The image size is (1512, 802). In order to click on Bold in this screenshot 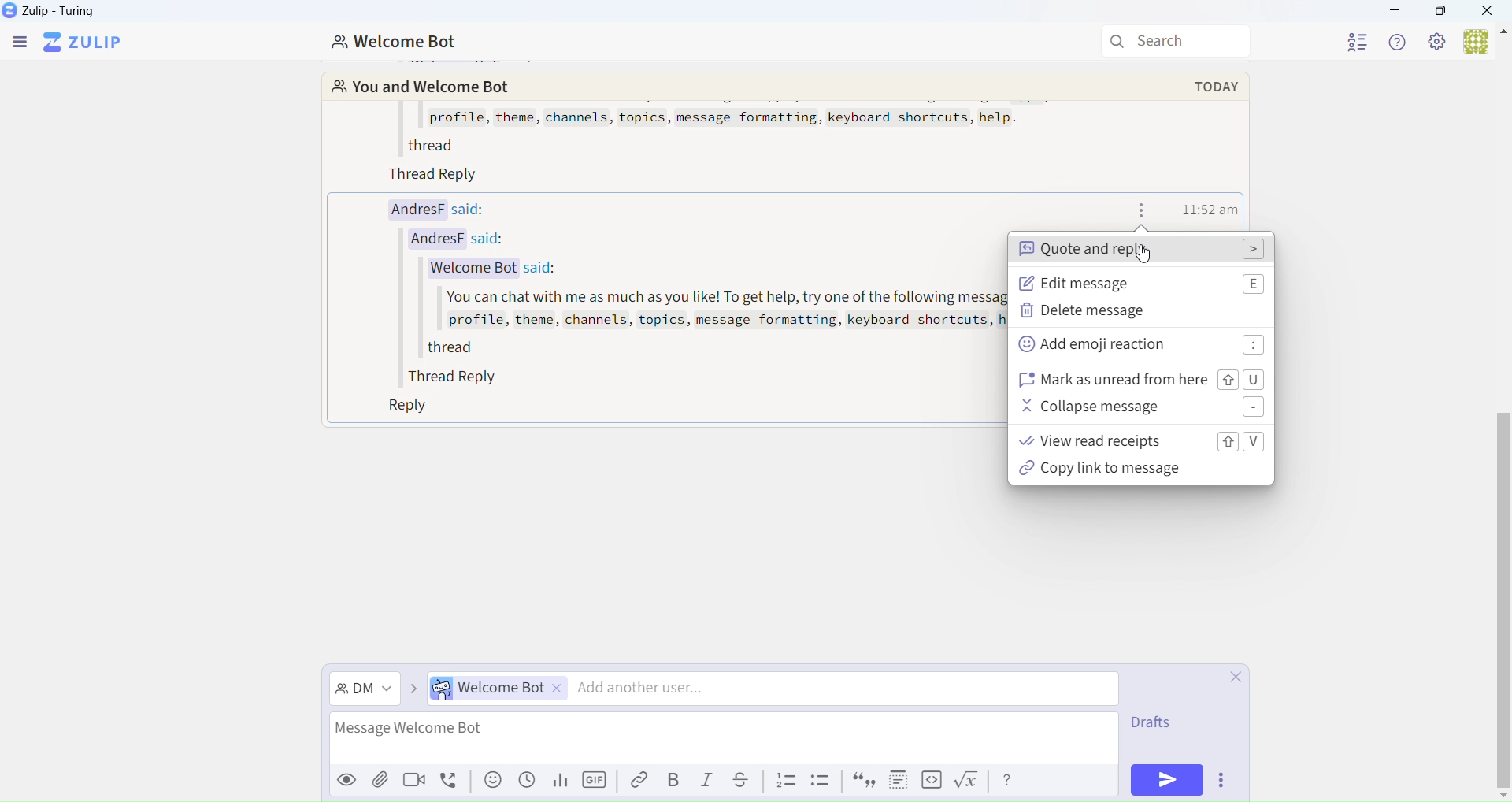, I will do `click(675, 780)`.